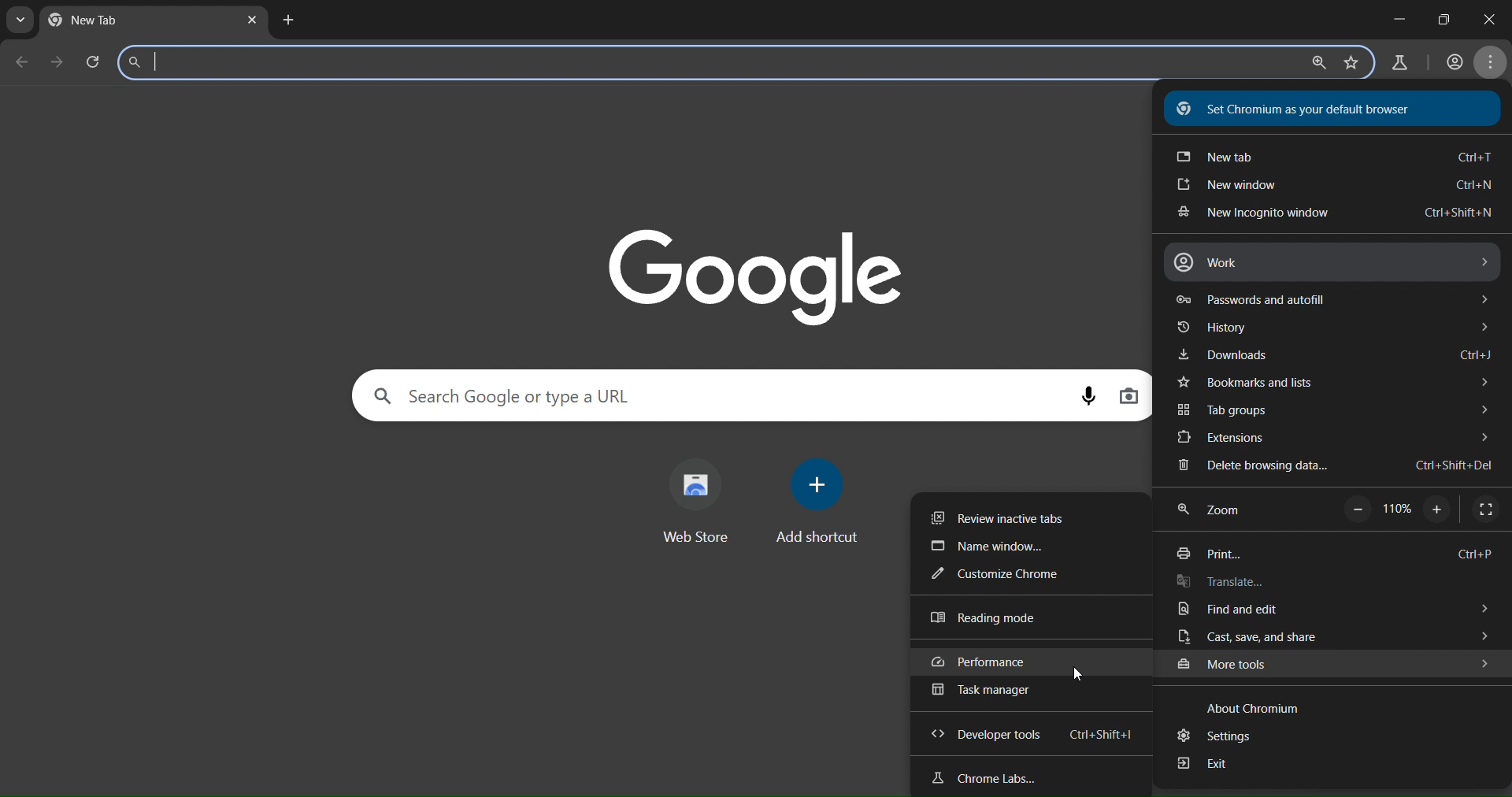 Image resolution: width=1512 pixels, height=797 pixels. What do you see at coordinates (20, 21) in the screenshot?
I see `search tabs` at bounding box center [20, 21].